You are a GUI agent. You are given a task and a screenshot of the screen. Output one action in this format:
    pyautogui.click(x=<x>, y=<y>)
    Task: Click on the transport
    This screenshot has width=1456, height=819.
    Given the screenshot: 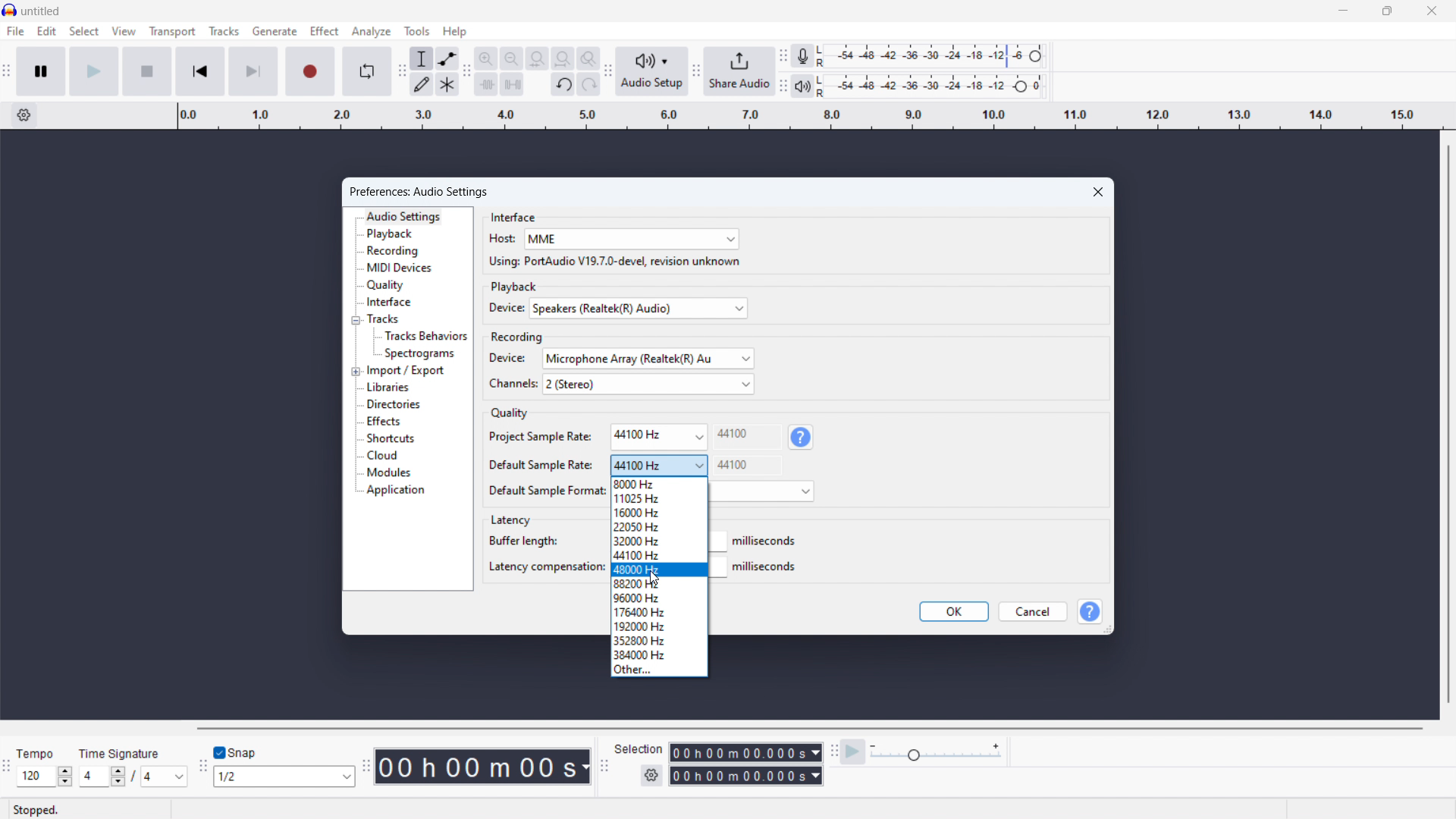 What is the action you would take?
    pyautogui.click(x=173, y=32)
    